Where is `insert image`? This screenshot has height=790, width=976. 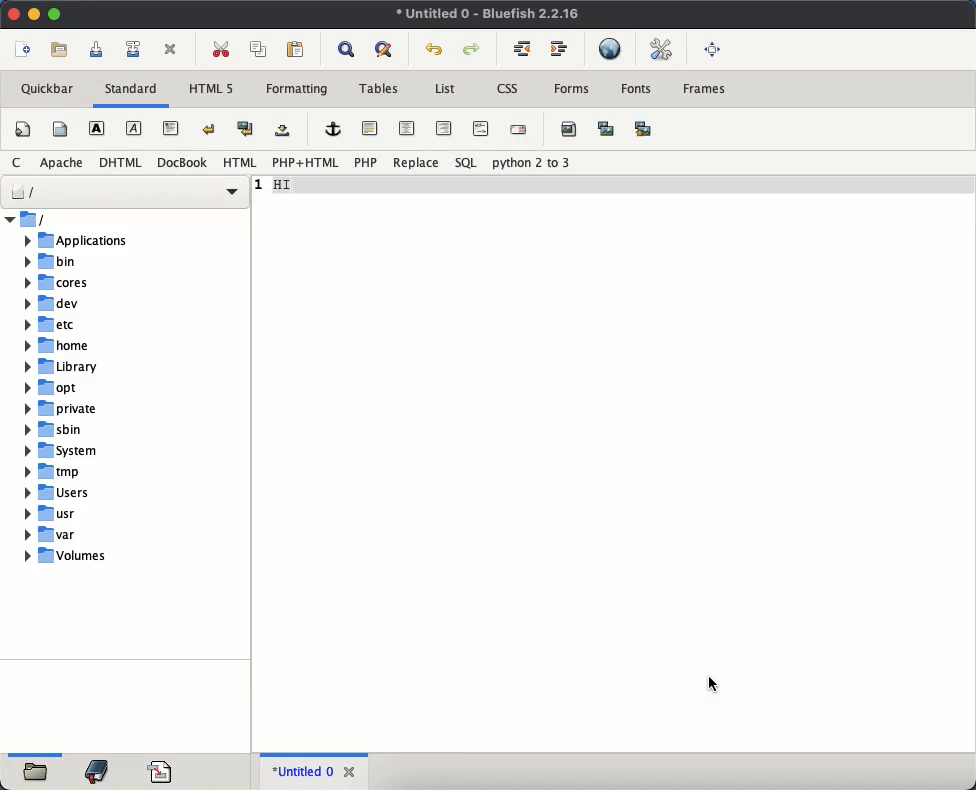 insert image is located at coordinates (568, 129).